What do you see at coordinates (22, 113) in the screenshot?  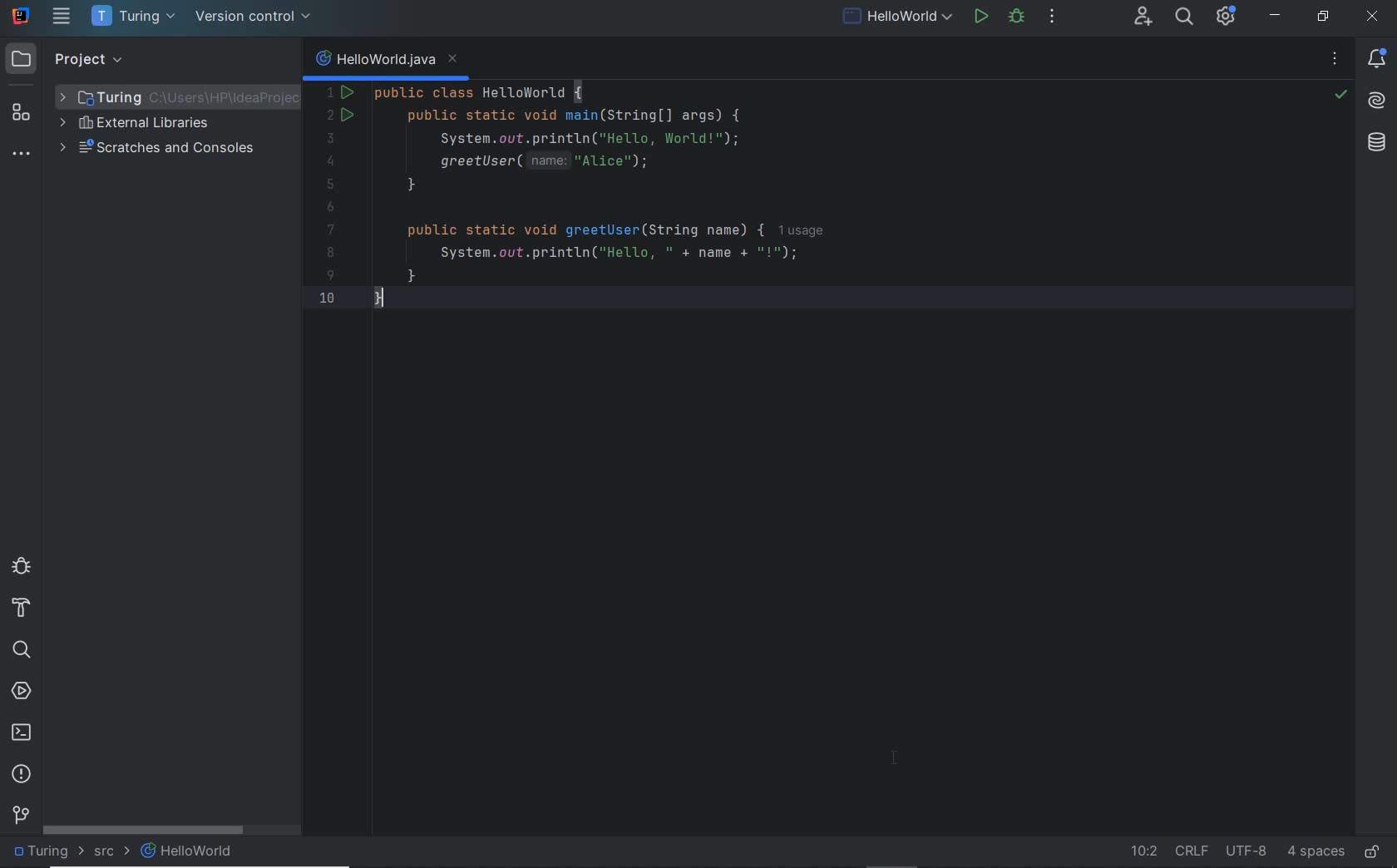 I see `structure` at bounding box center [22, 113].